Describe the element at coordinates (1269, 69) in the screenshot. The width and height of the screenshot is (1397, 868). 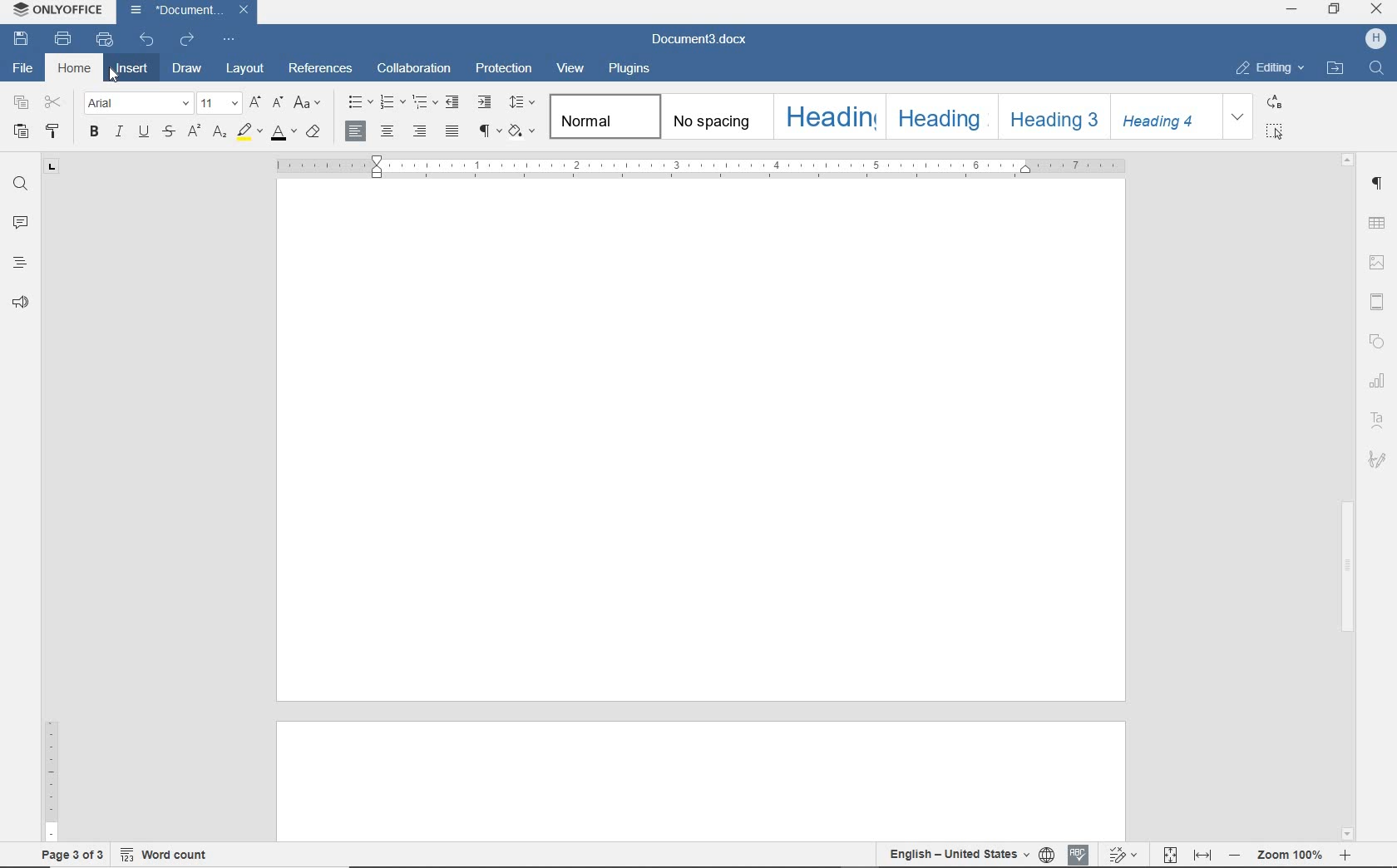
I see `EDITING` at that location.